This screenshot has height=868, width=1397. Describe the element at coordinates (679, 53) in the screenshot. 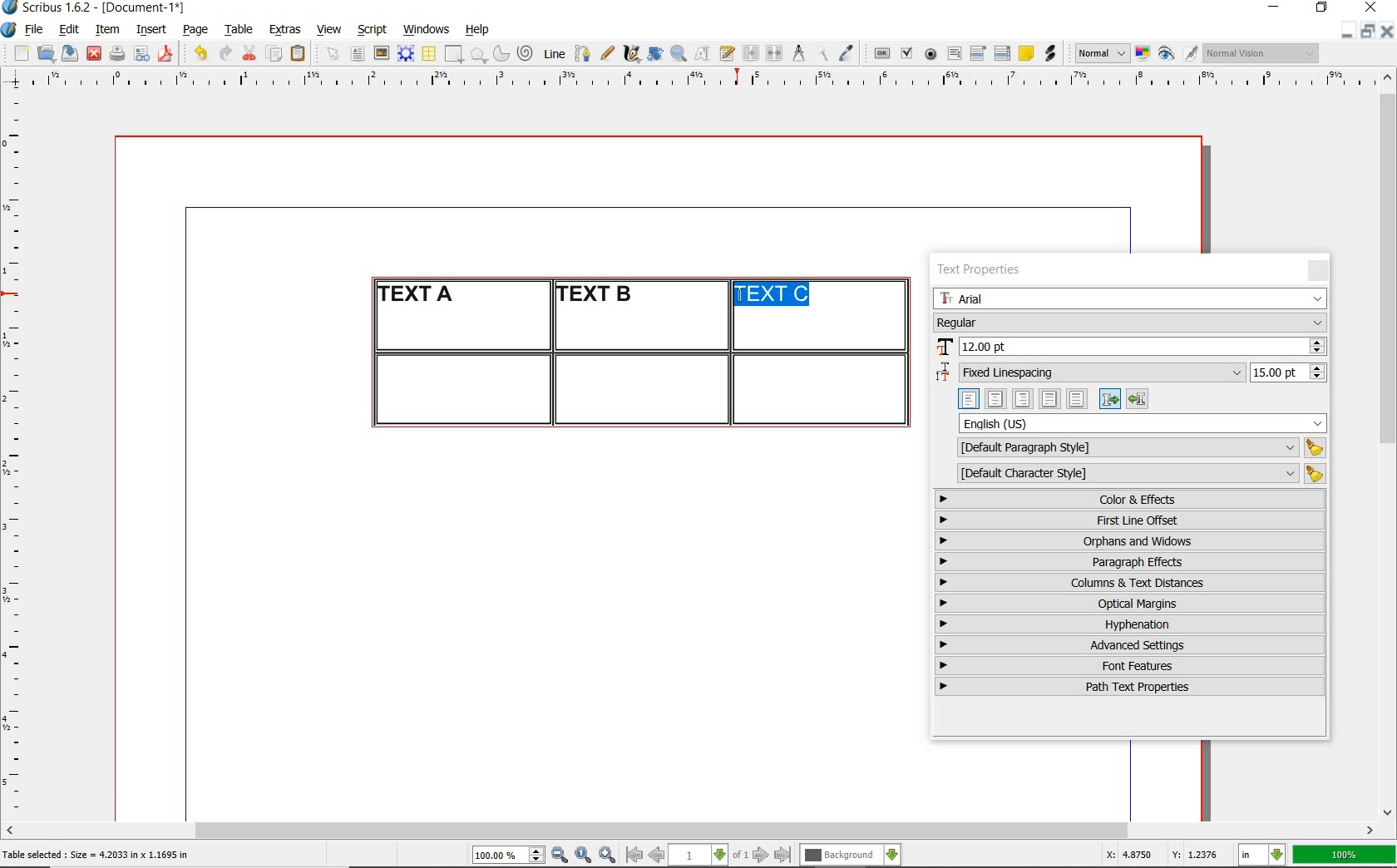

I see `zoom in or zoom out` at that location.